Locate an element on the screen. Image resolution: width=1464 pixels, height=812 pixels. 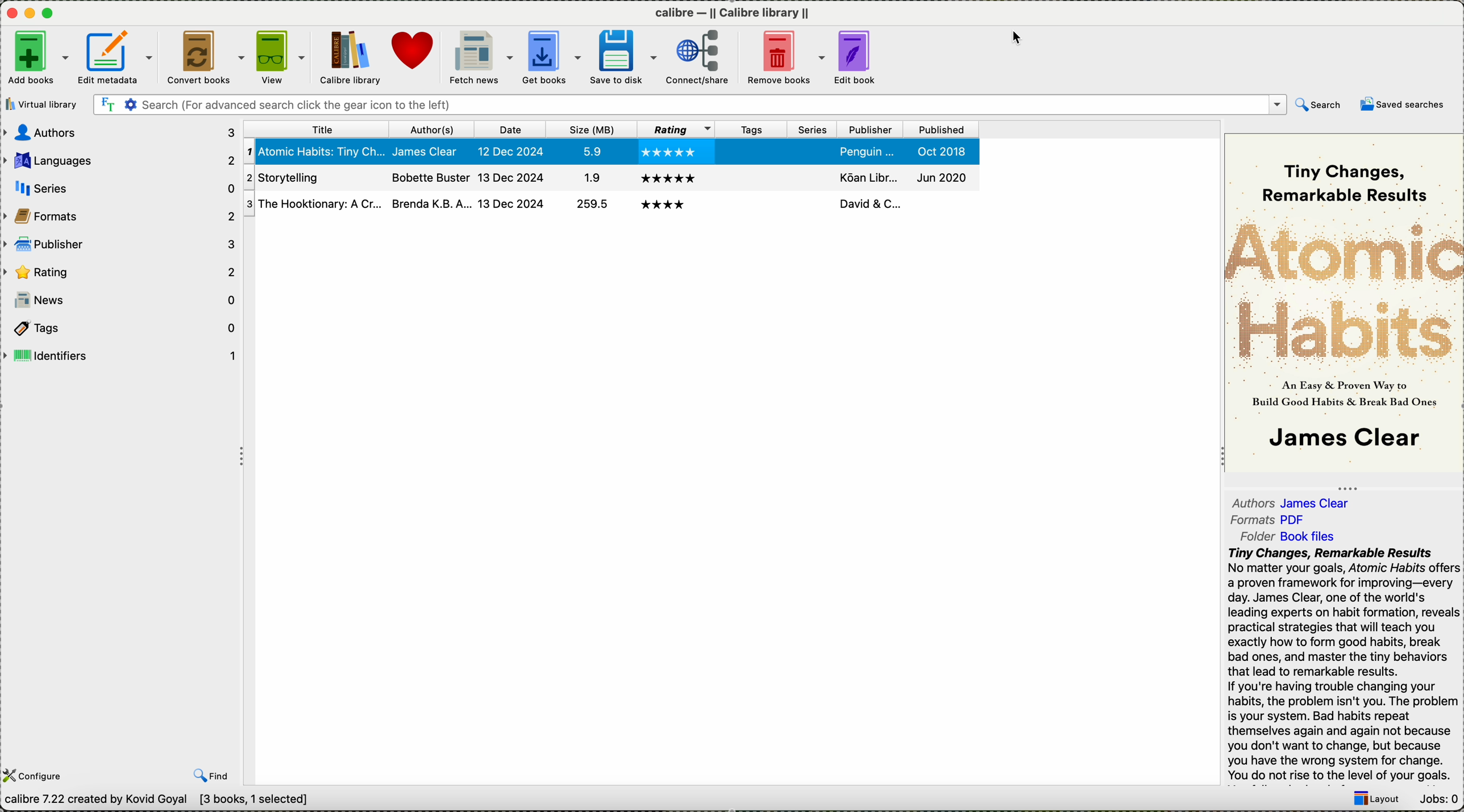
search(for advanced search click the gear icon to the left is located at coordinates (690, 105).